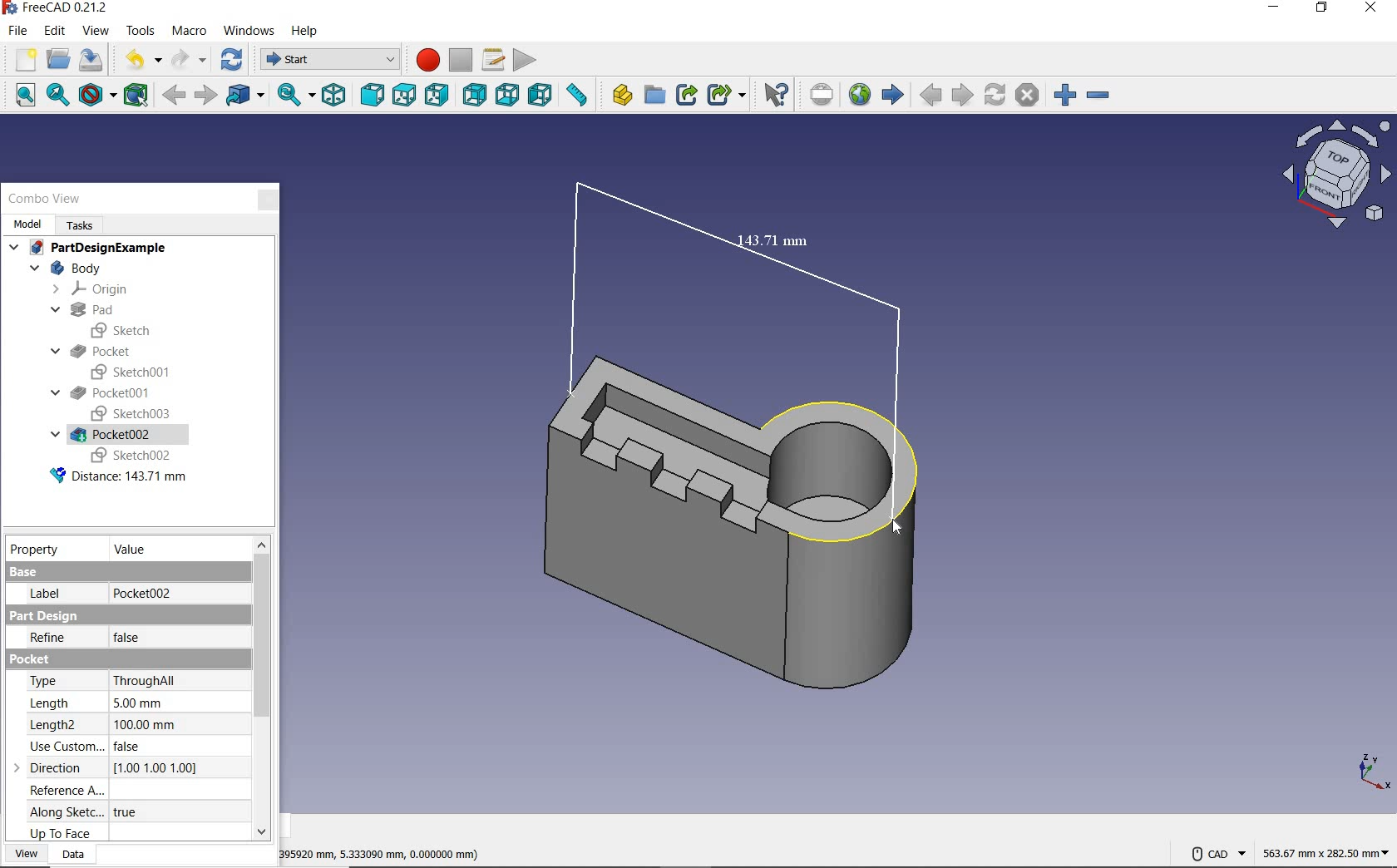  What do you see at coordinates (1029, 96) in the screenshot?
I see `stop loading` at bounding box center [1029, 96].